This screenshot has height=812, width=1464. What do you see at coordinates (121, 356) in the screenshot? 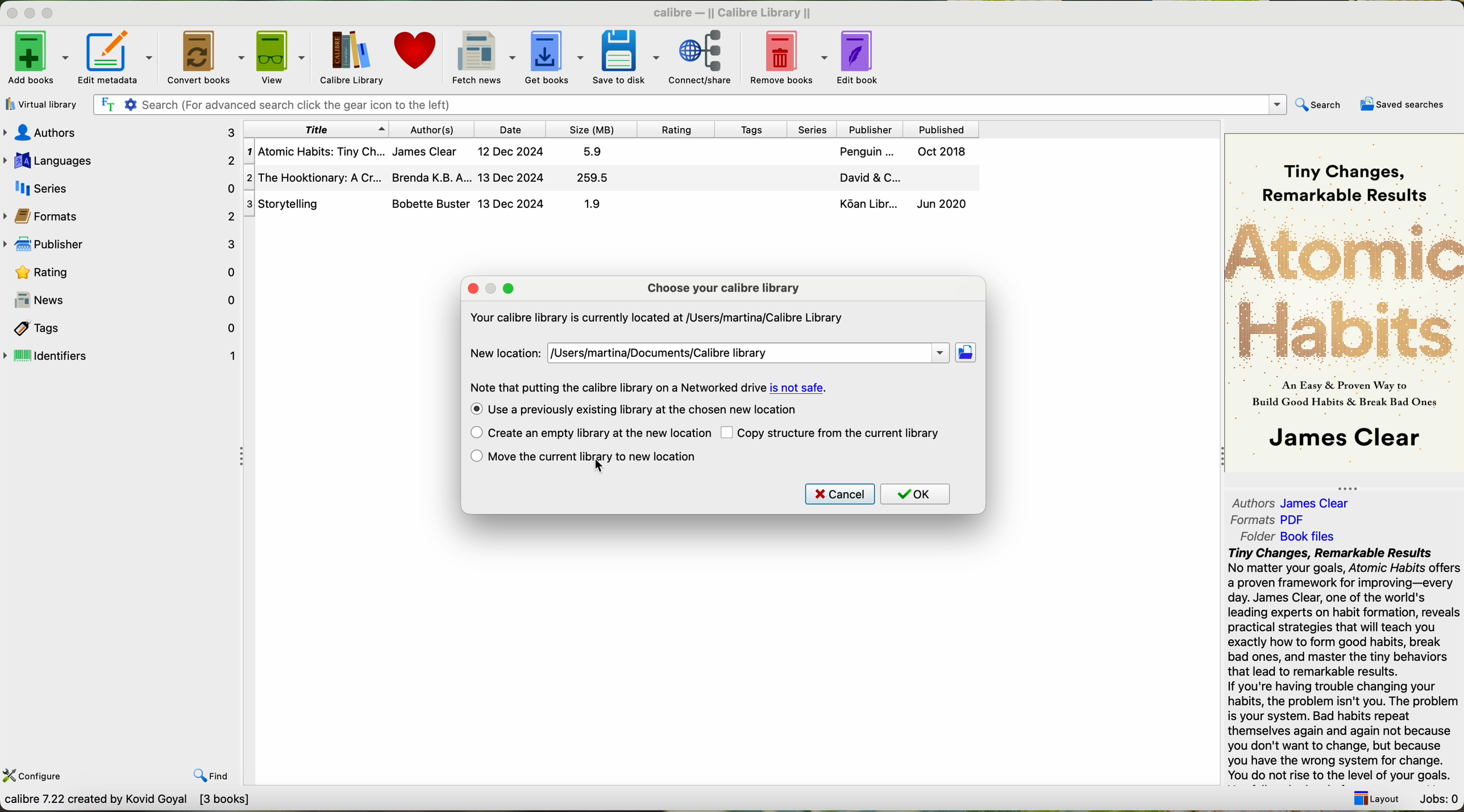
I see `identifiers` at bounding box center [121, 356].